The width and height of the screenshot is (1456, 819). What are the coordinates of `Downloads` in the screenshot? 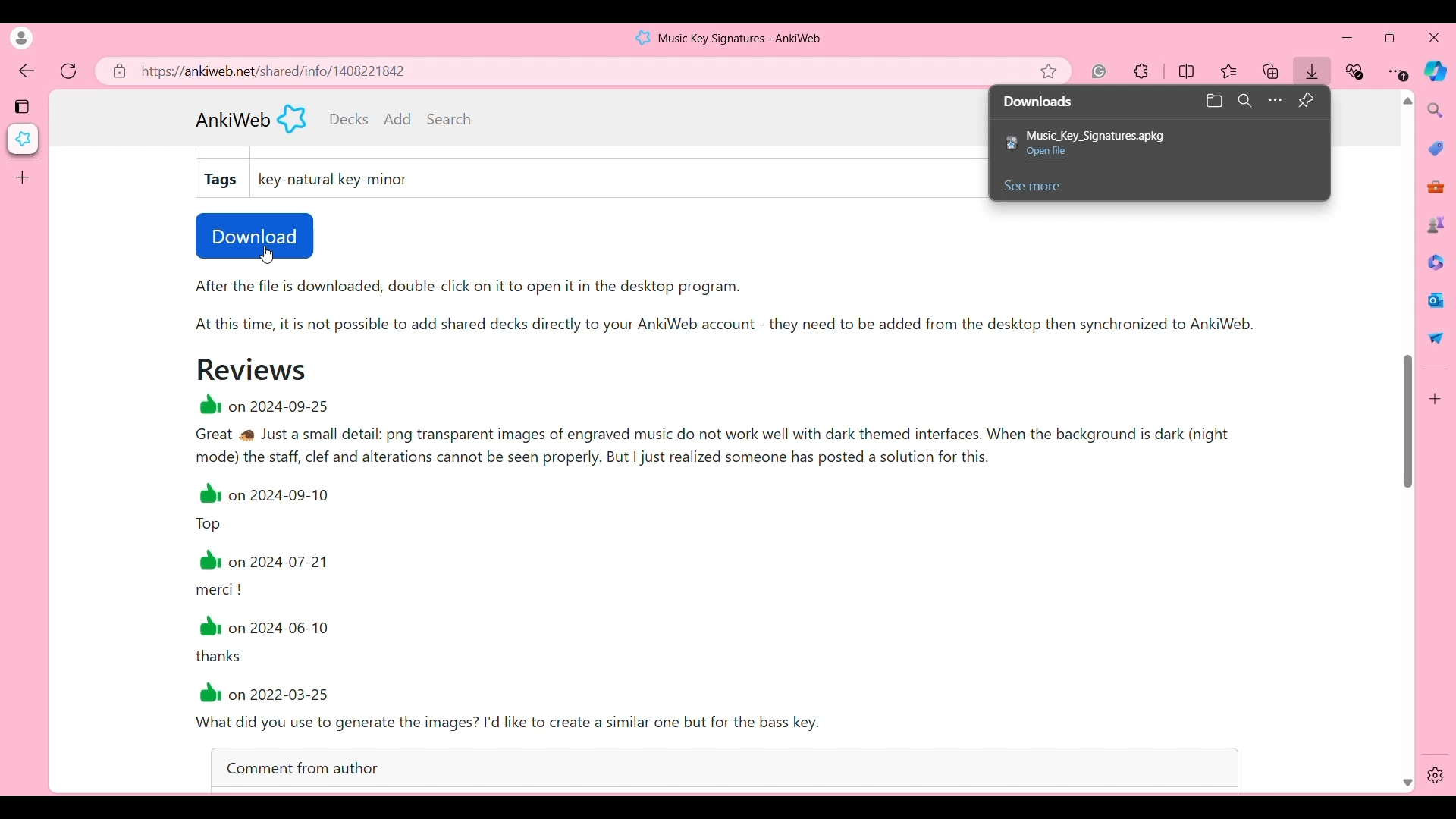 It's located at (1040, 102).